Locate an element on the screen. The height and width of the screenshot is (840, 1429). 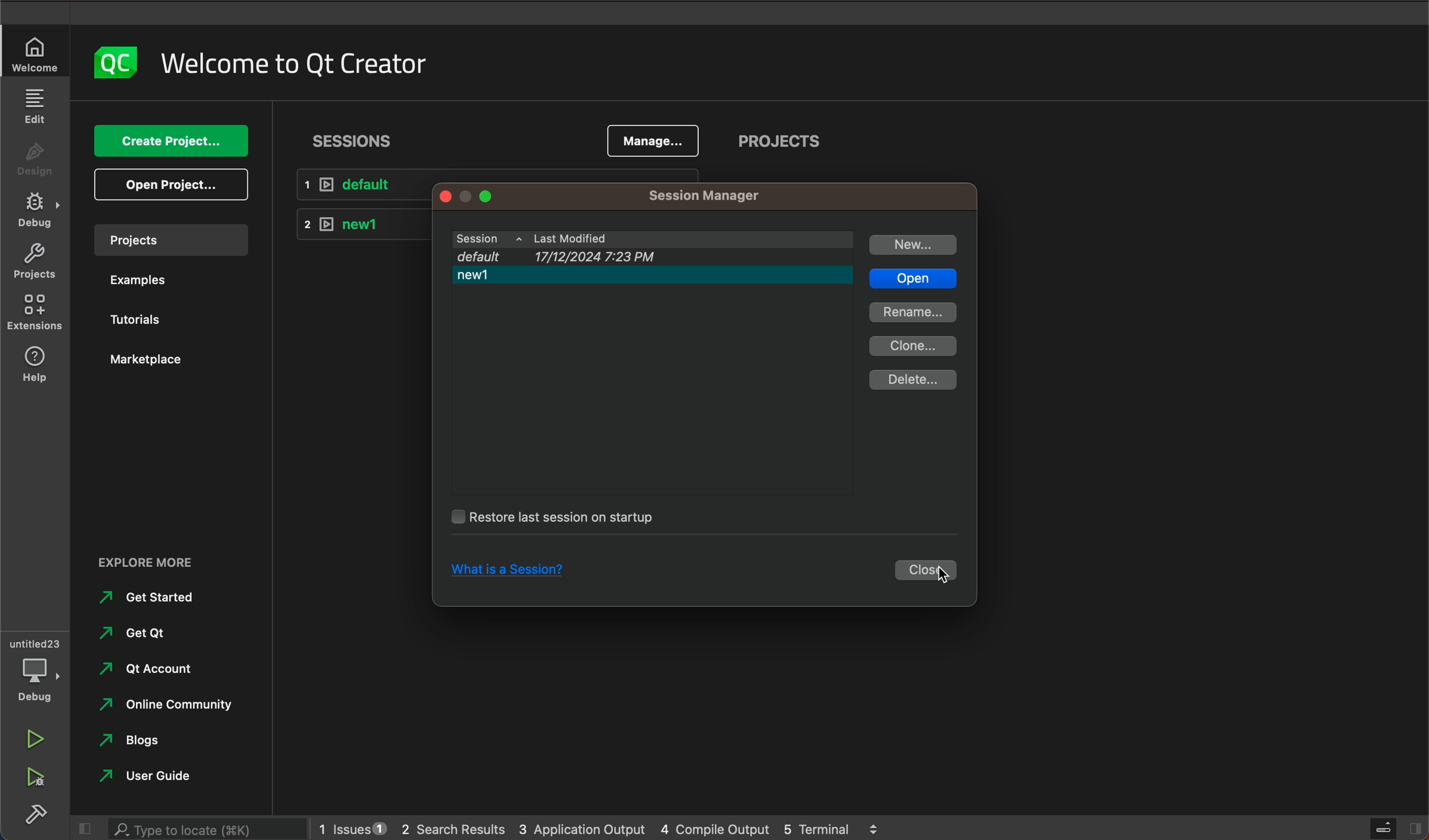
manage is located at coordinates (654, 139).